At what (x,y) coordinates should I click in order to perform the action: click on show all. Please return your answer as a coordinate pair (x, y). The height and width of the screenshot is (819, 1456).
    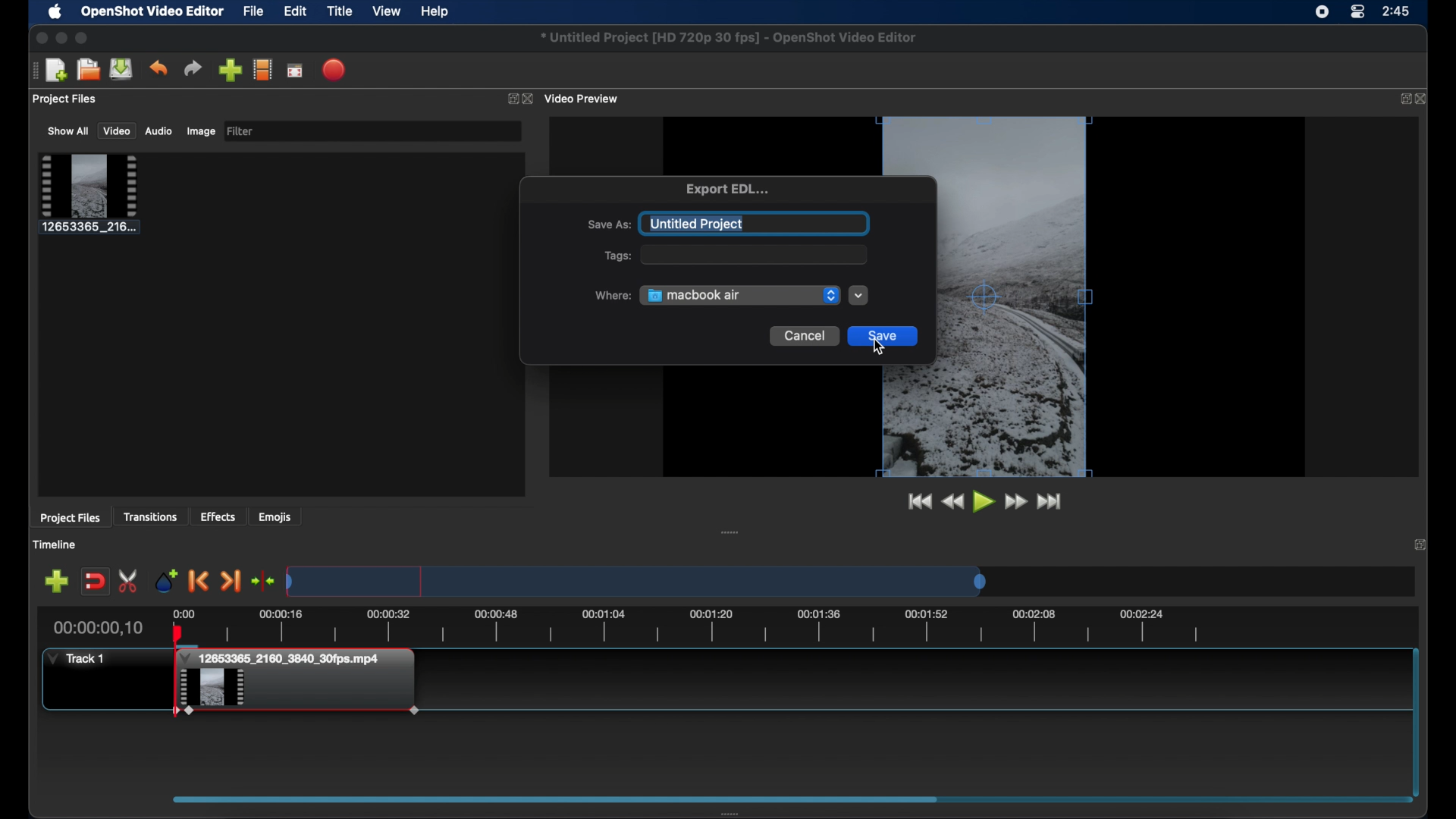
    Looking at the image, I should click on (67, 131).